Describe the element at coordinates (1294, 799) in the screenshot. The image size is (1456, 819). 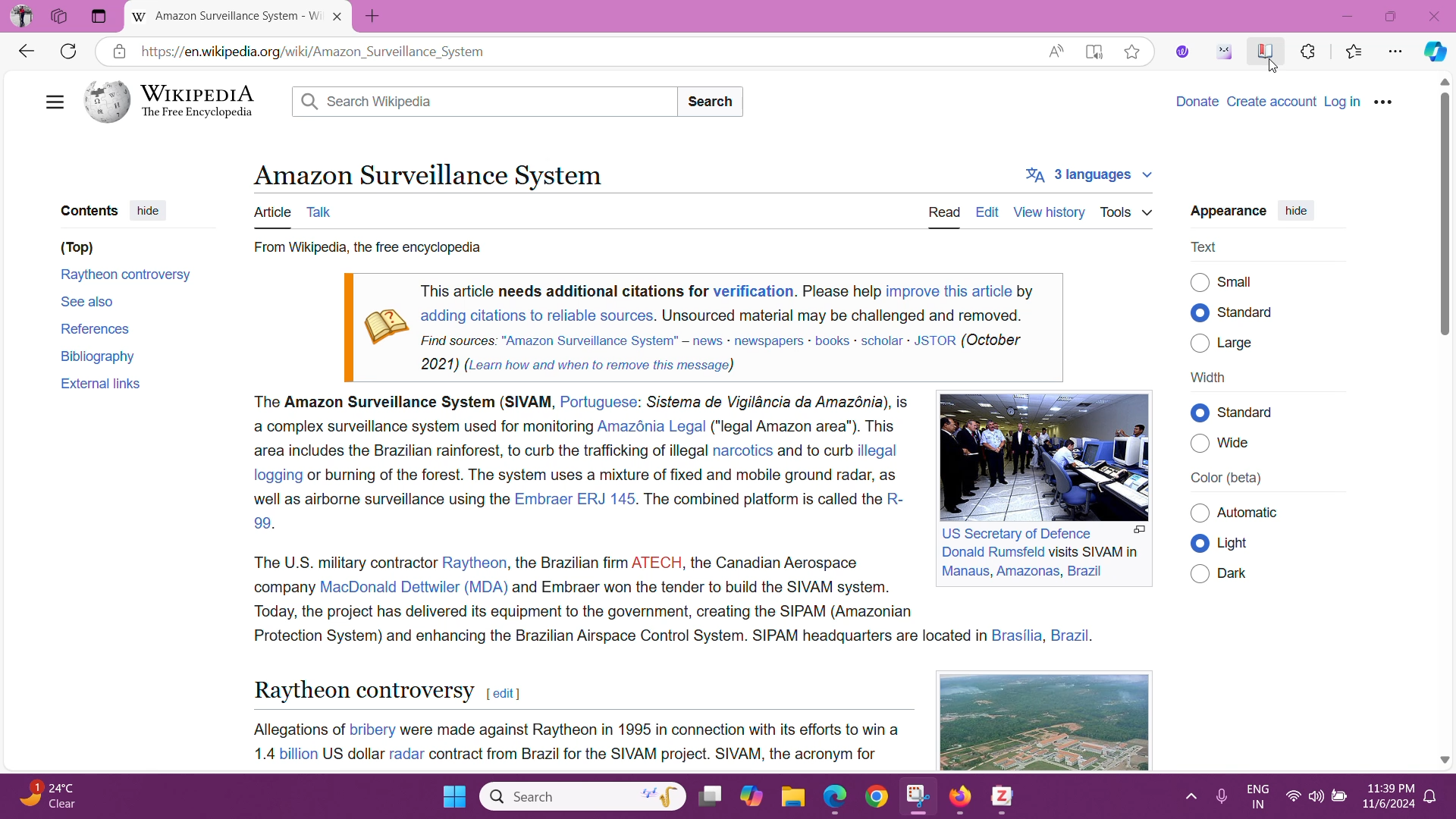
I see `wifi` at that location.